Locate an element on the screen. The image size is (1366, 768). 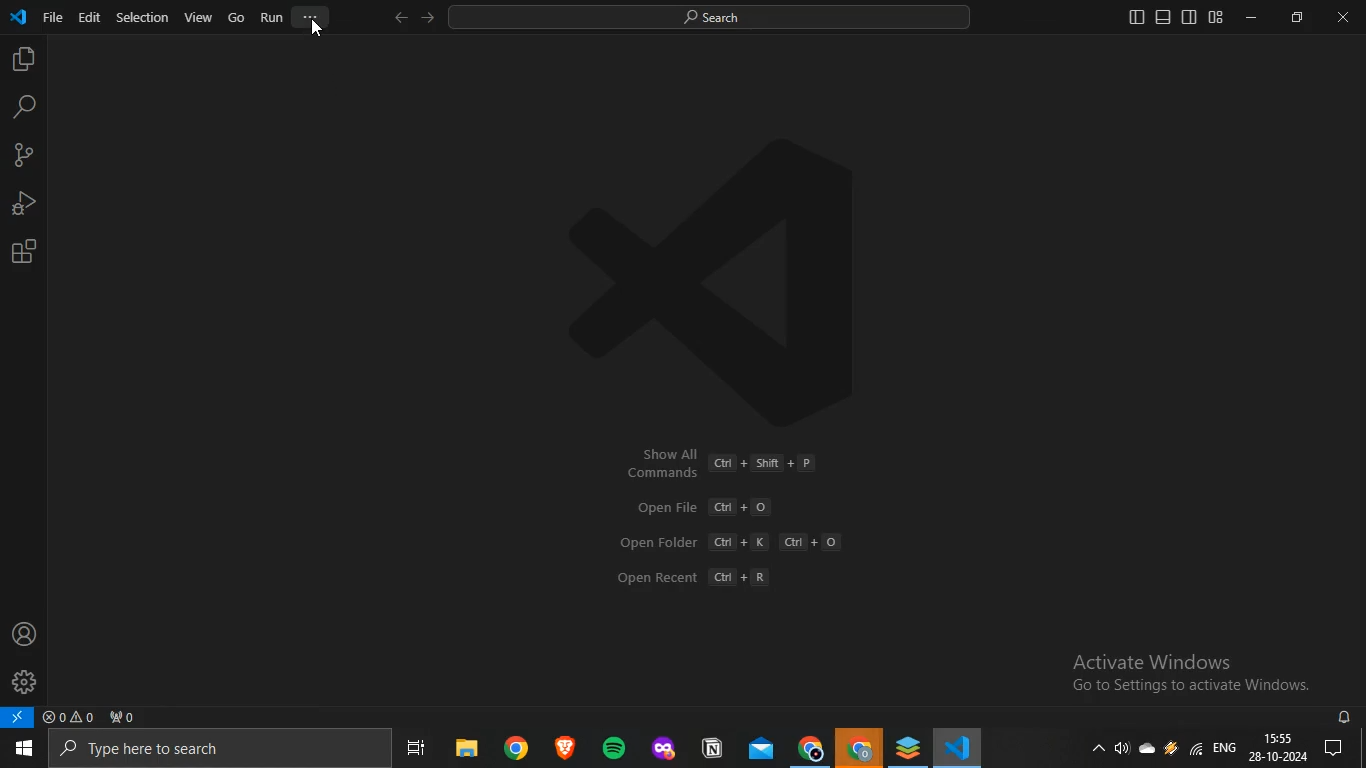
google chrome is located at coordinates (859, 749).